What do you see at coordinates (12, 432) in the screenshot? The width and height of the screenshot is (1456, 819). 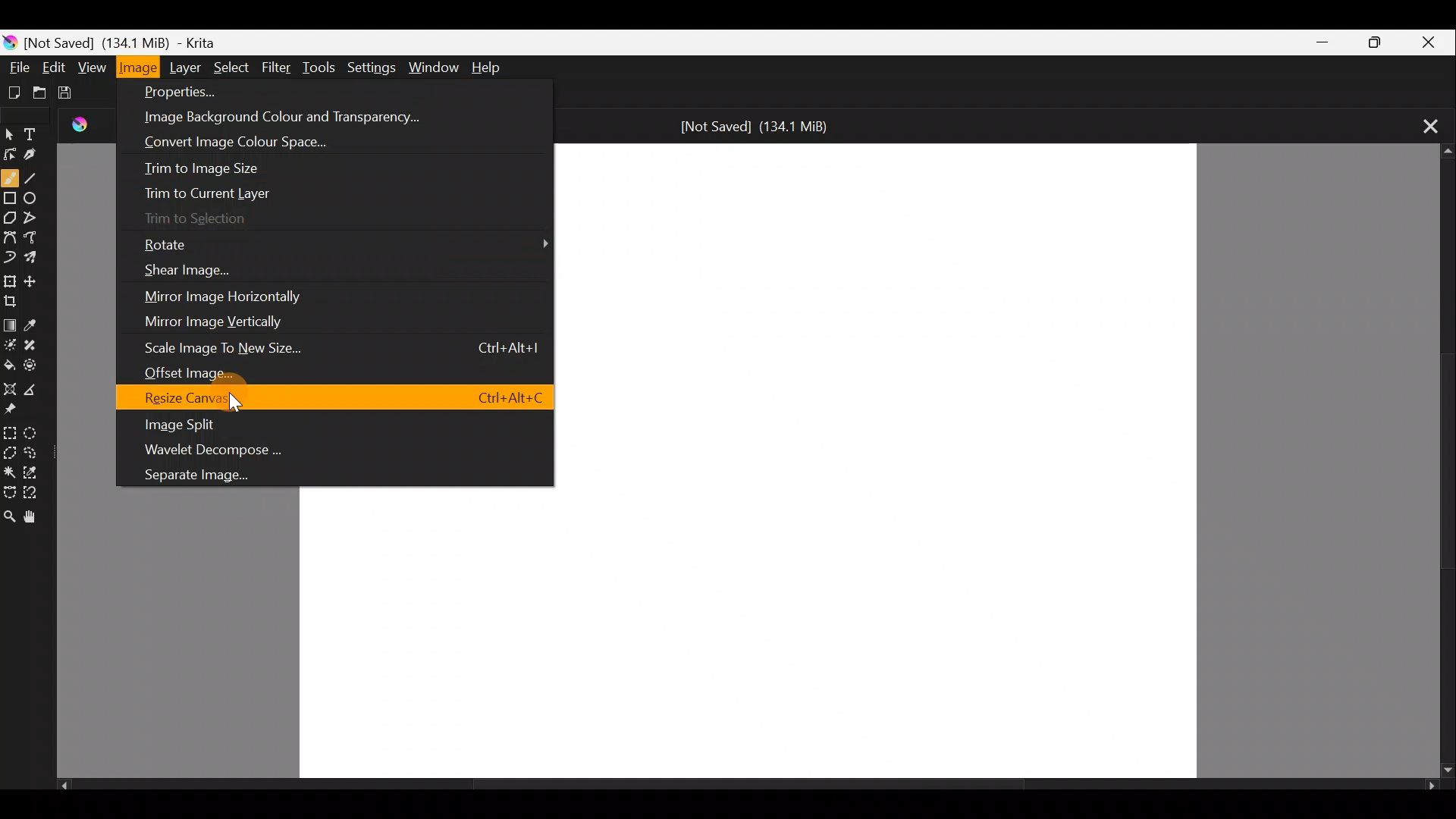 I see `Rectangular selection tool` at bounding box center [12, 432].